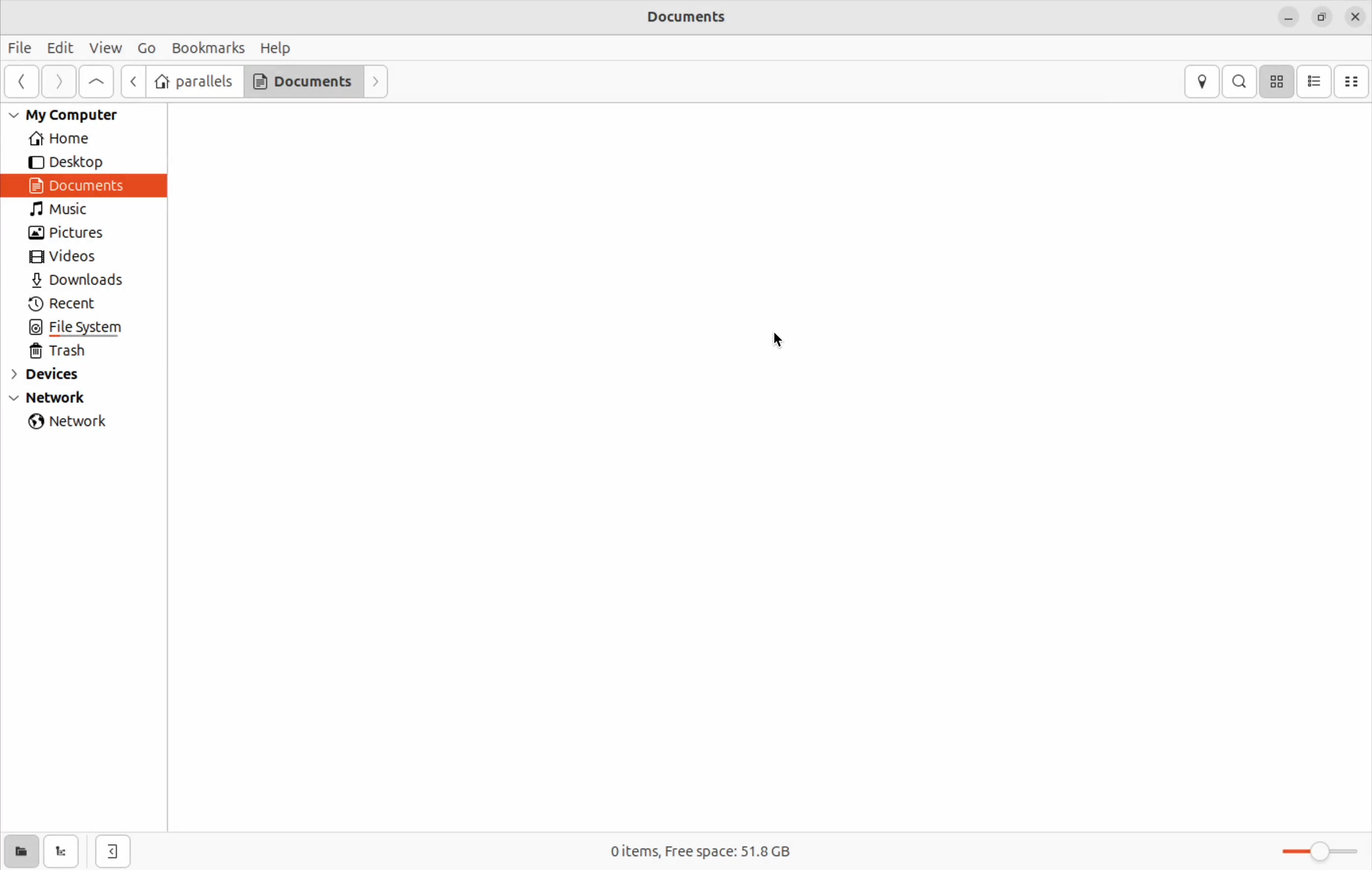  Describe the element at coordinates (67, 306) in the screenshot. I see `recent` at that location.